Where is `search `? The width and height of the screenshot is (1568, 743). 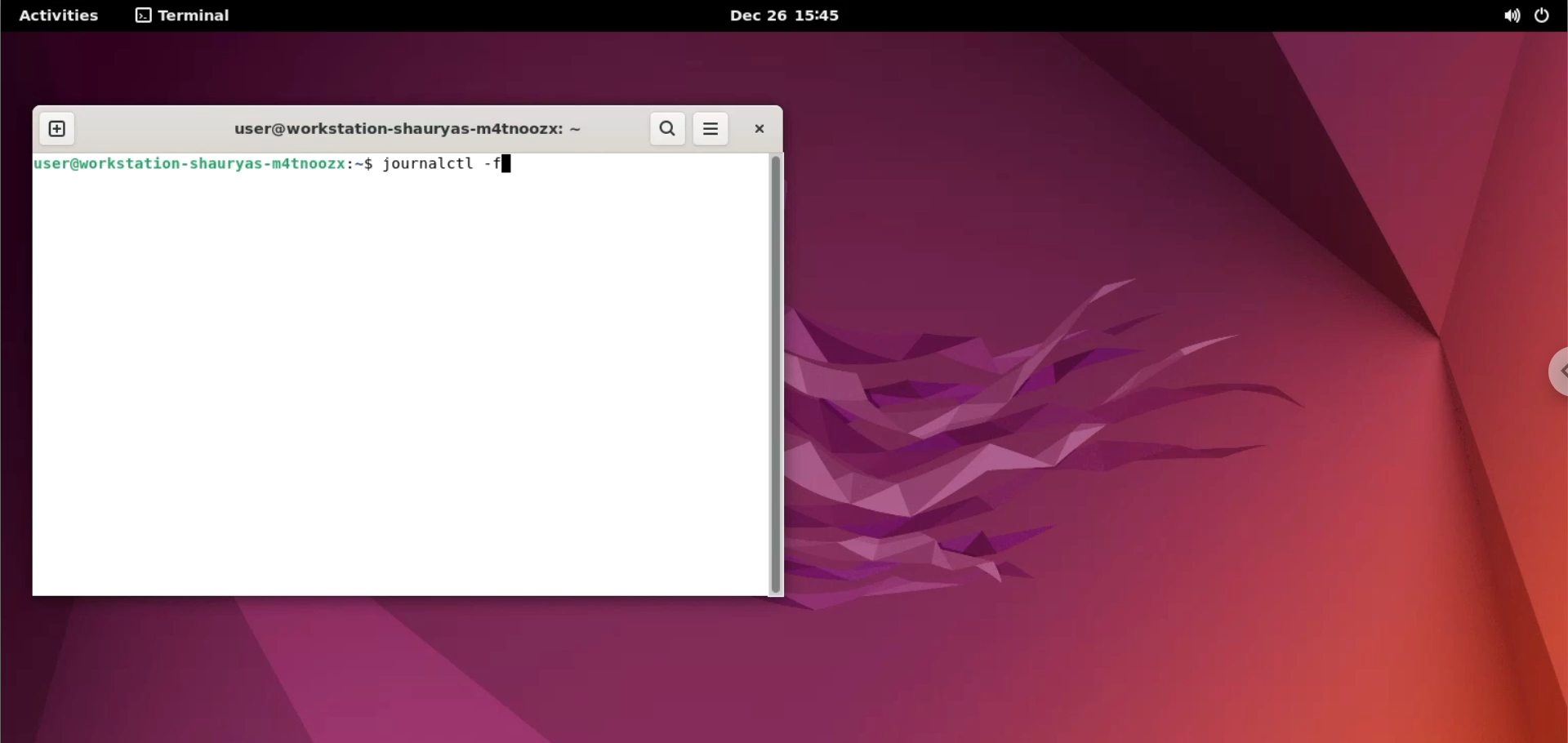 search  is located at coordinates (665, 130).